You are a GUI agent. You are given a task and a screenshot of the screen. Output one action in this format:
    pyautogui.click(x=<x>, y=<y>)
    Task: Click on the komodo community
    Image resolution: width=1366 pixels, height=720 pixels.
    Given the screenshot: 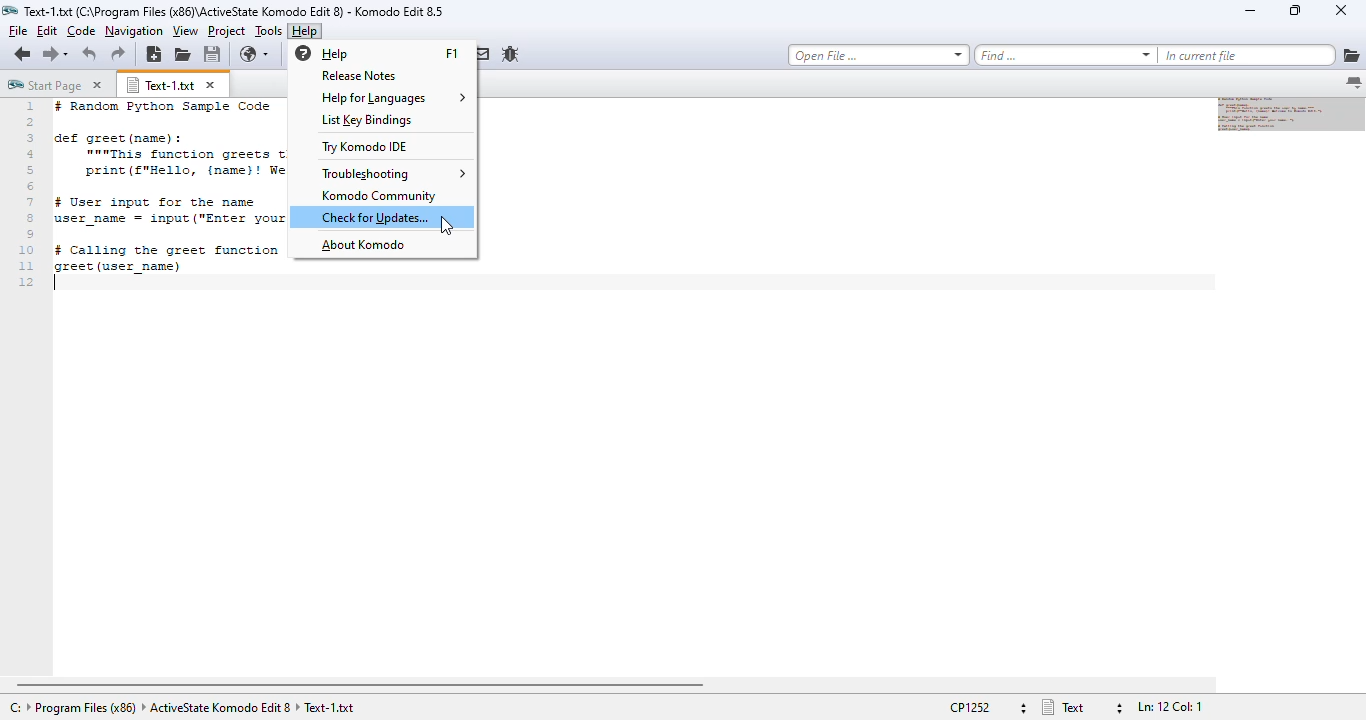 What is the action you would take?
    pyautogui.click(x=380, y=196)
    